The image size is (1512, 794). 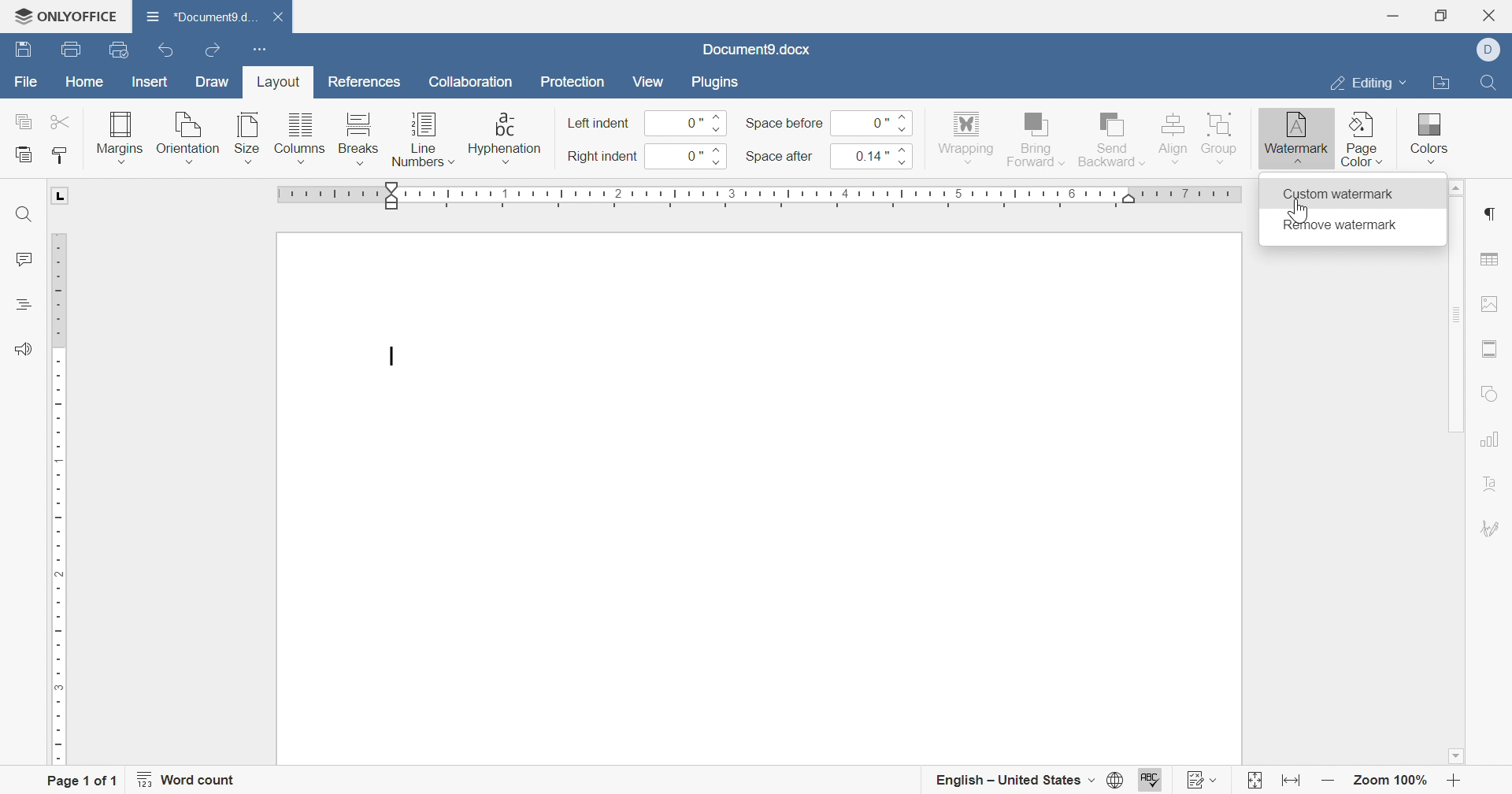 I want to click on find, so click(x=1487, y=80).